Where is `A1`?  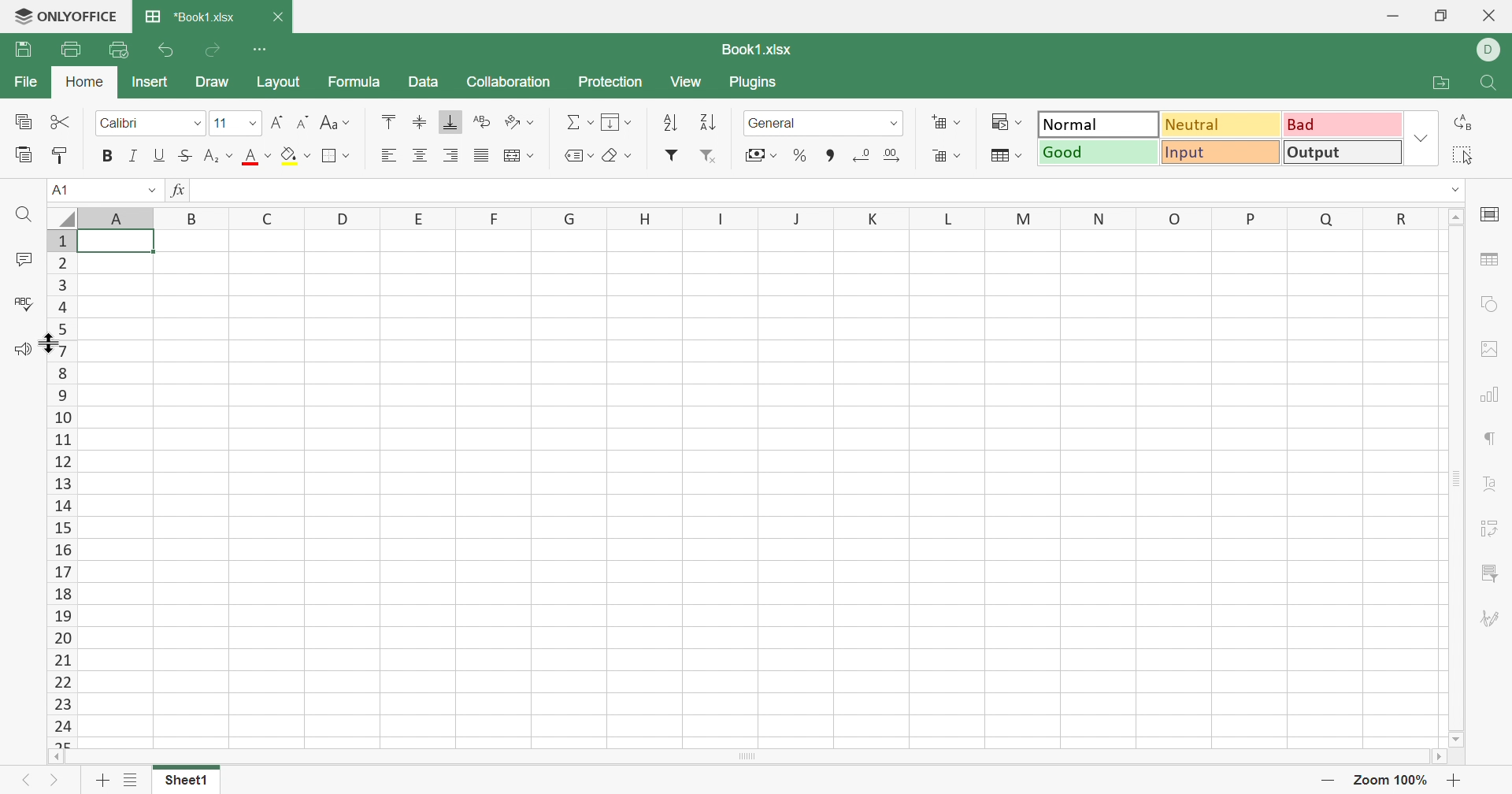
A1 is located at coordinates (65, 190).